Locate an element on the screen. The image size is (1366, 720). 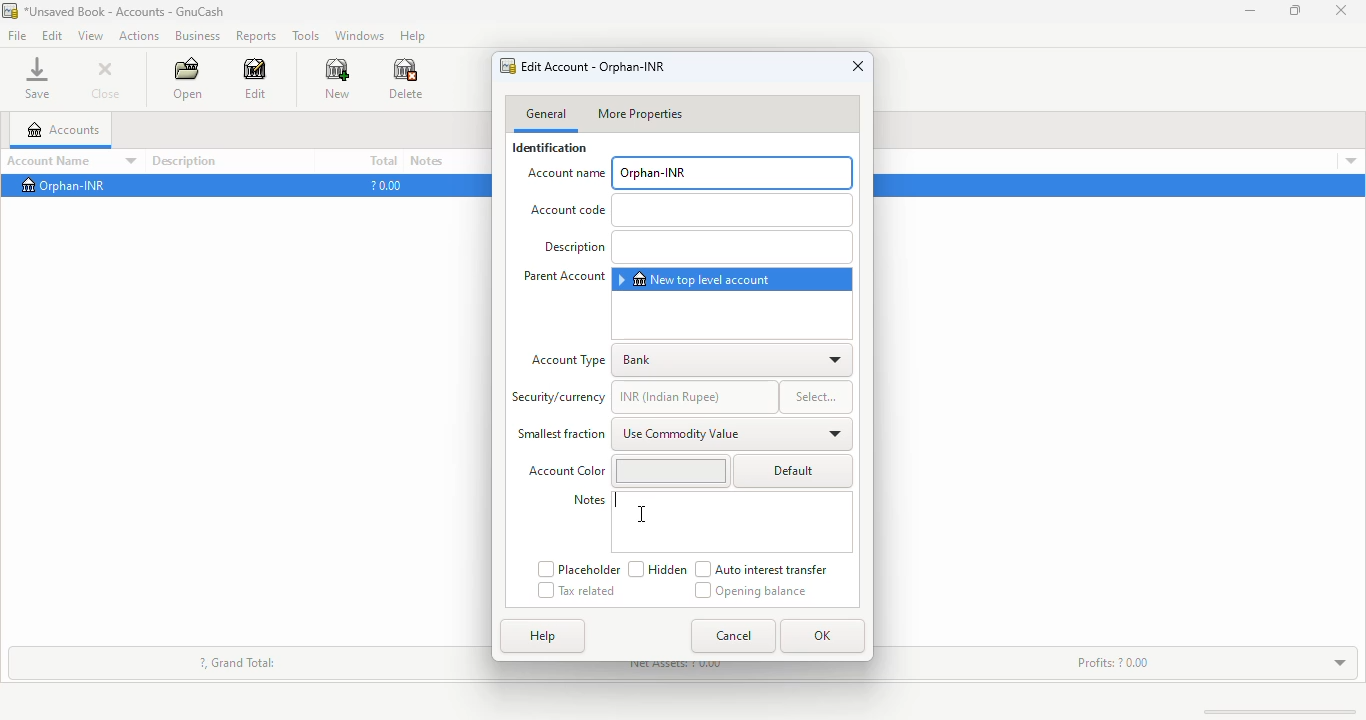
total is located at coordinates (384, 160).